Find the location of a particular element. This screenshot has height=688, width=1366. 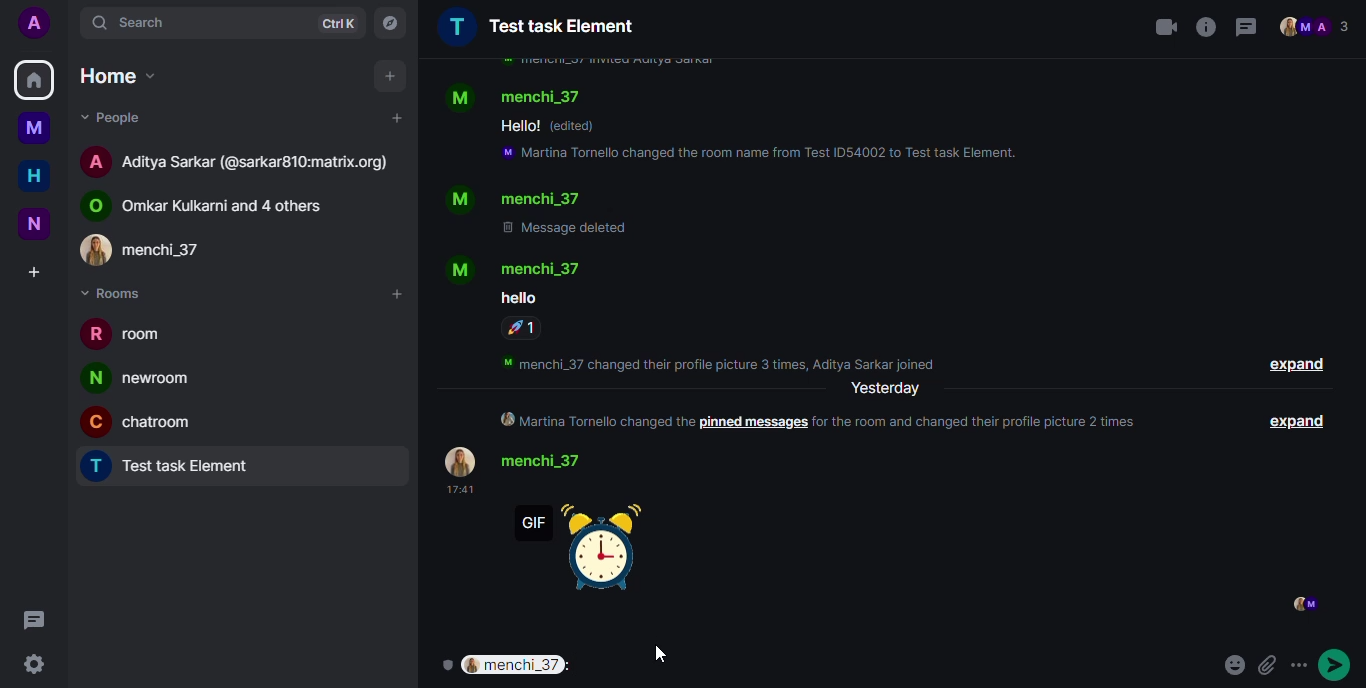

hello is located at coordinates (519, 126).